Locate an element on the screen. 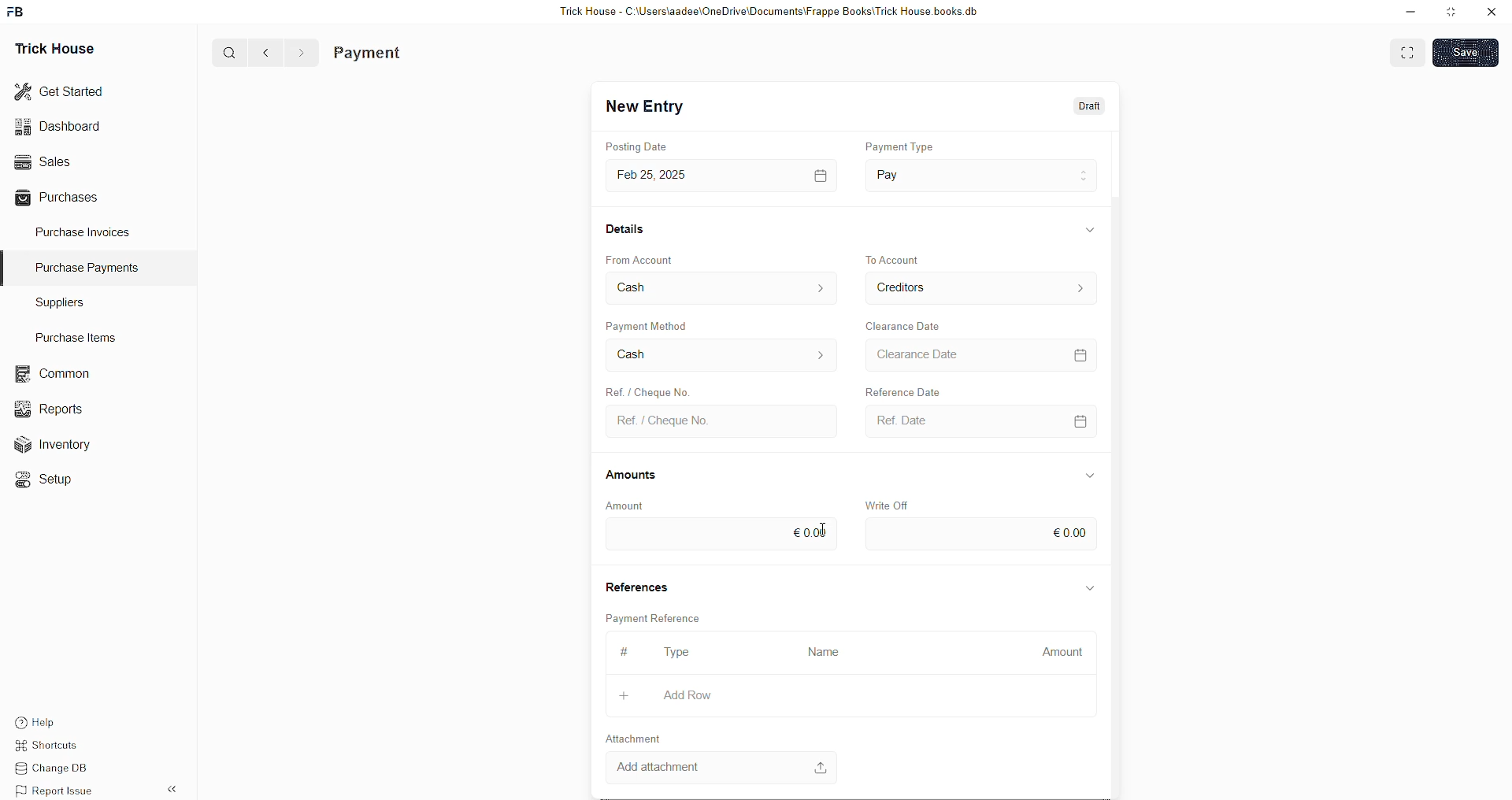  minimise down is located at coordinates (1408, 12).